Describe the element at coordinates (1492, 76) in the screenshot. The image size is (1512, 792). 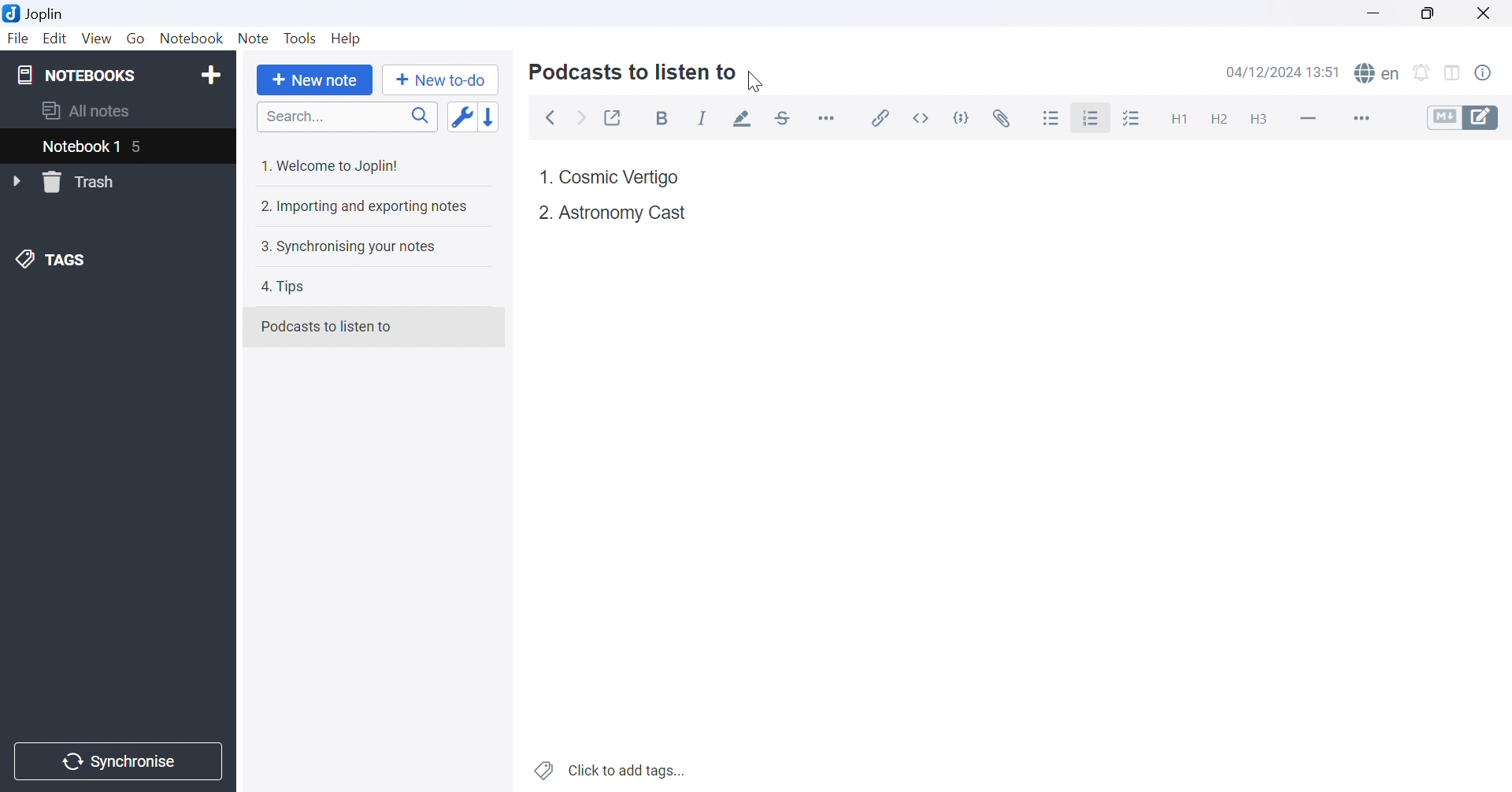
I see `Note properties` at that location.